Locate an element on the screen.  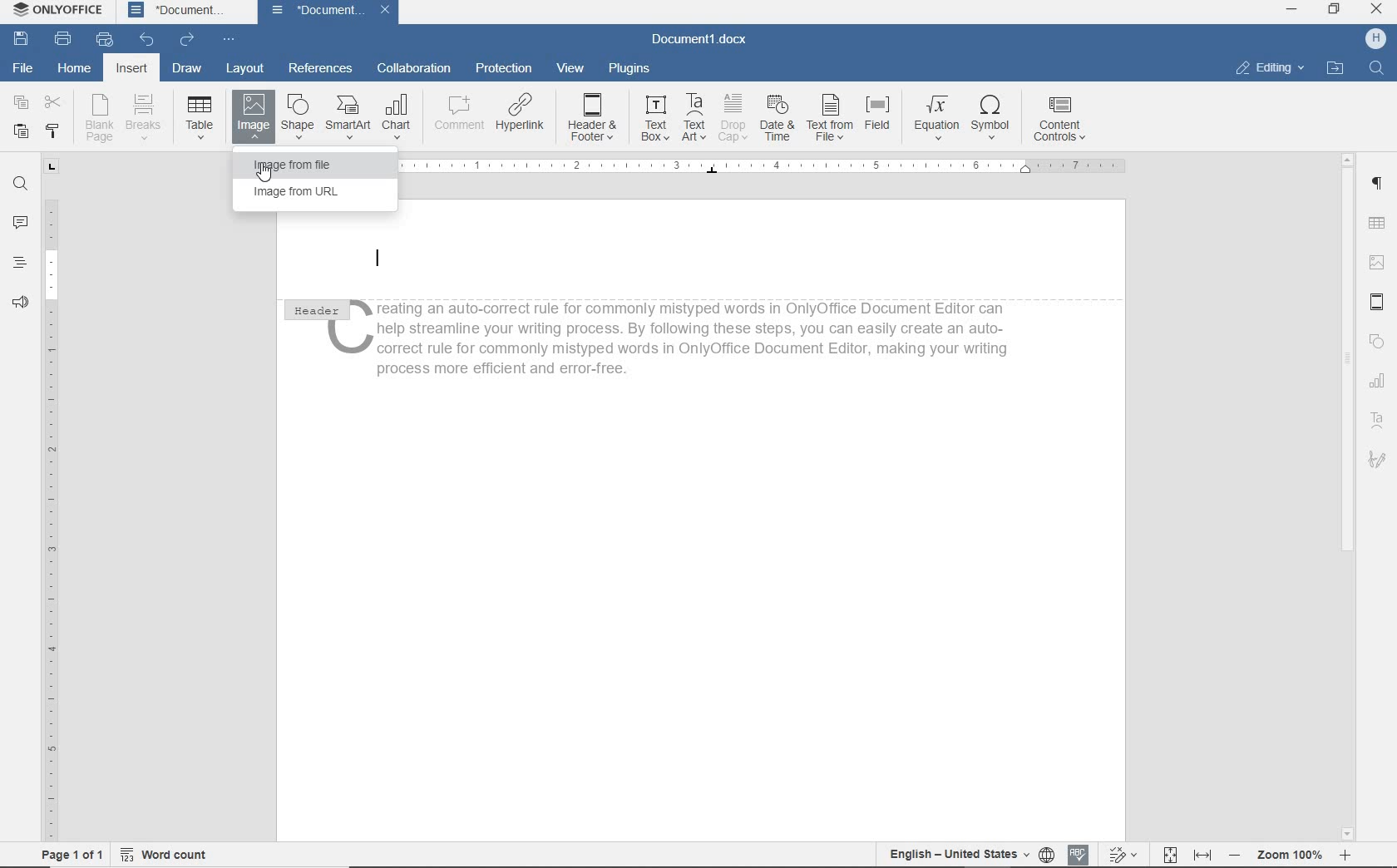
OPEN FILE LOCTION is located at coordinates (1335, 69).